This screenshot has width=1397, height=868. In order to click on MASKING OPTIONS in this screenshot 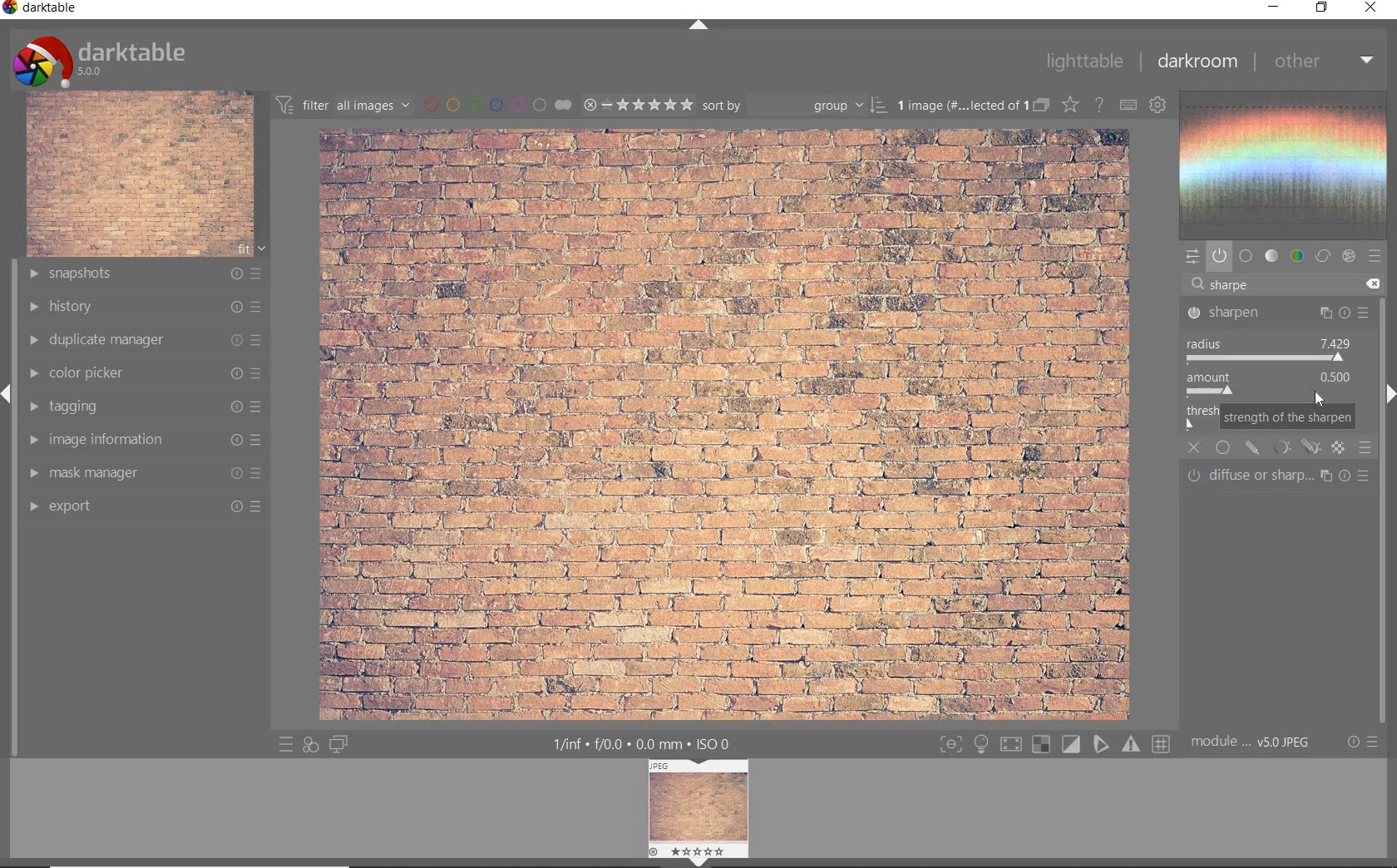, I will do `click(1293, 448)`.